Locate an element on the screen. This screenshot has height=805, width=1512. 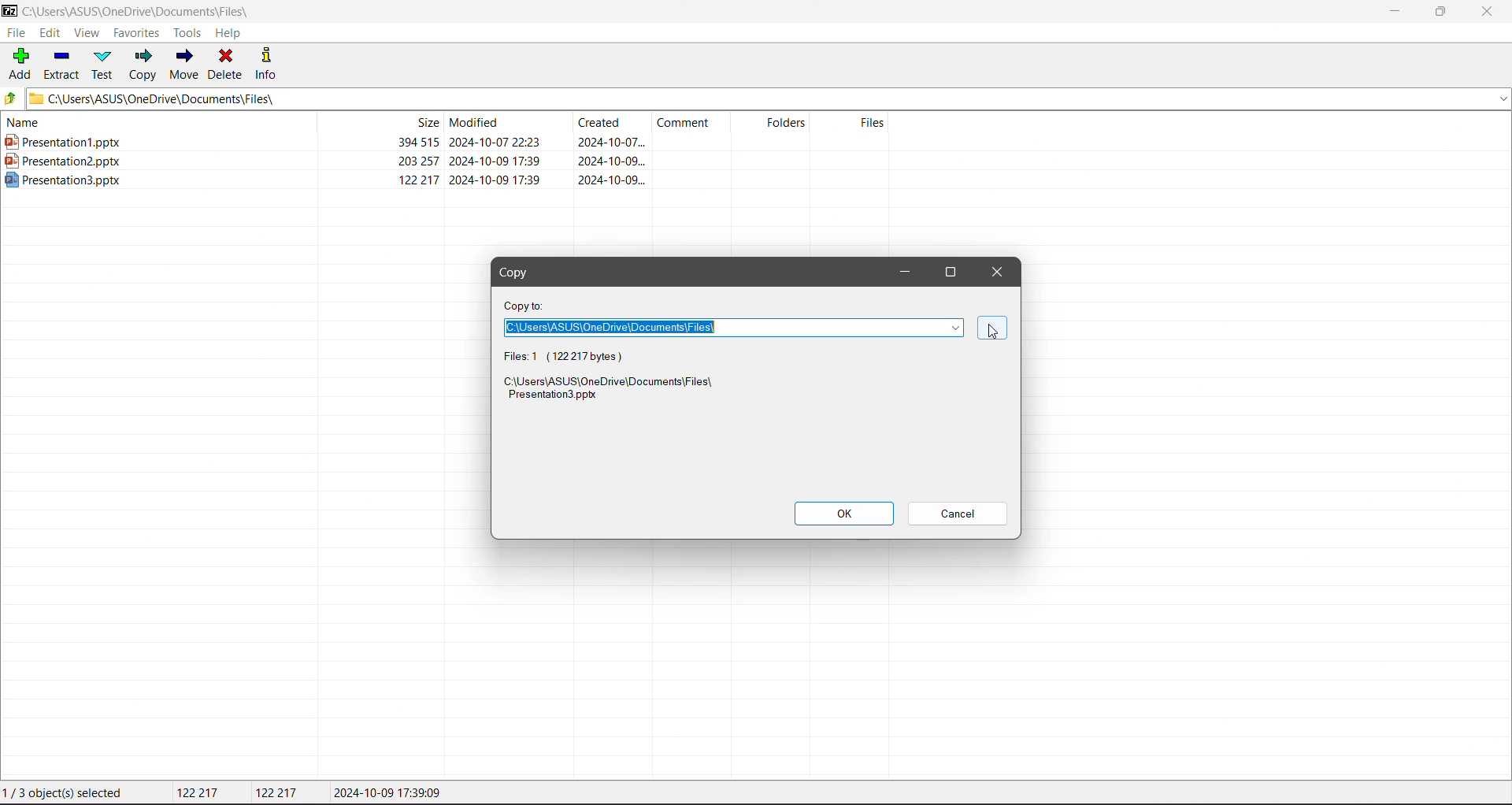
File is located at coordinates (17, 32).